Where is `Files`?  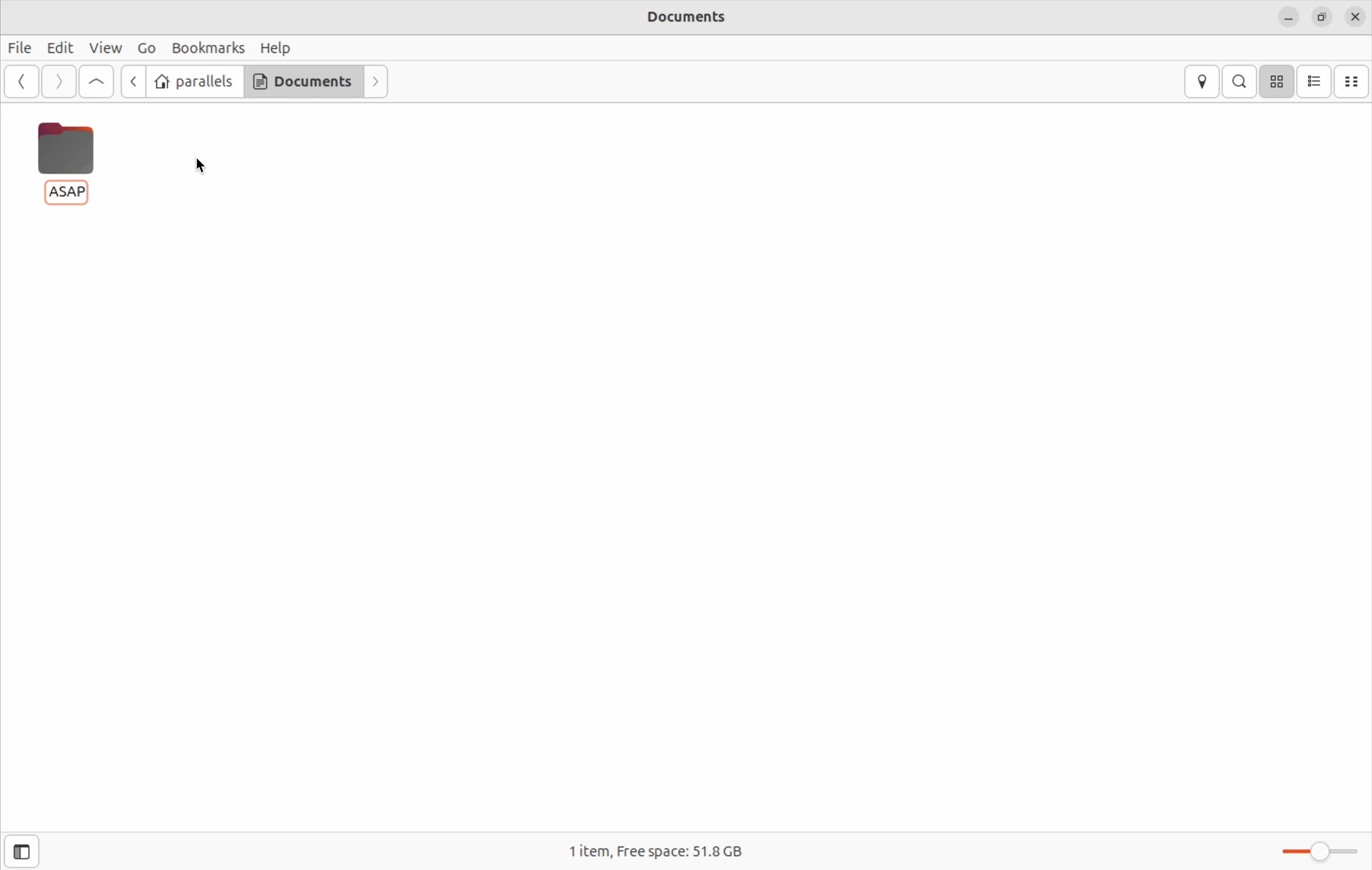 Files is located at coordinates (21, 45).